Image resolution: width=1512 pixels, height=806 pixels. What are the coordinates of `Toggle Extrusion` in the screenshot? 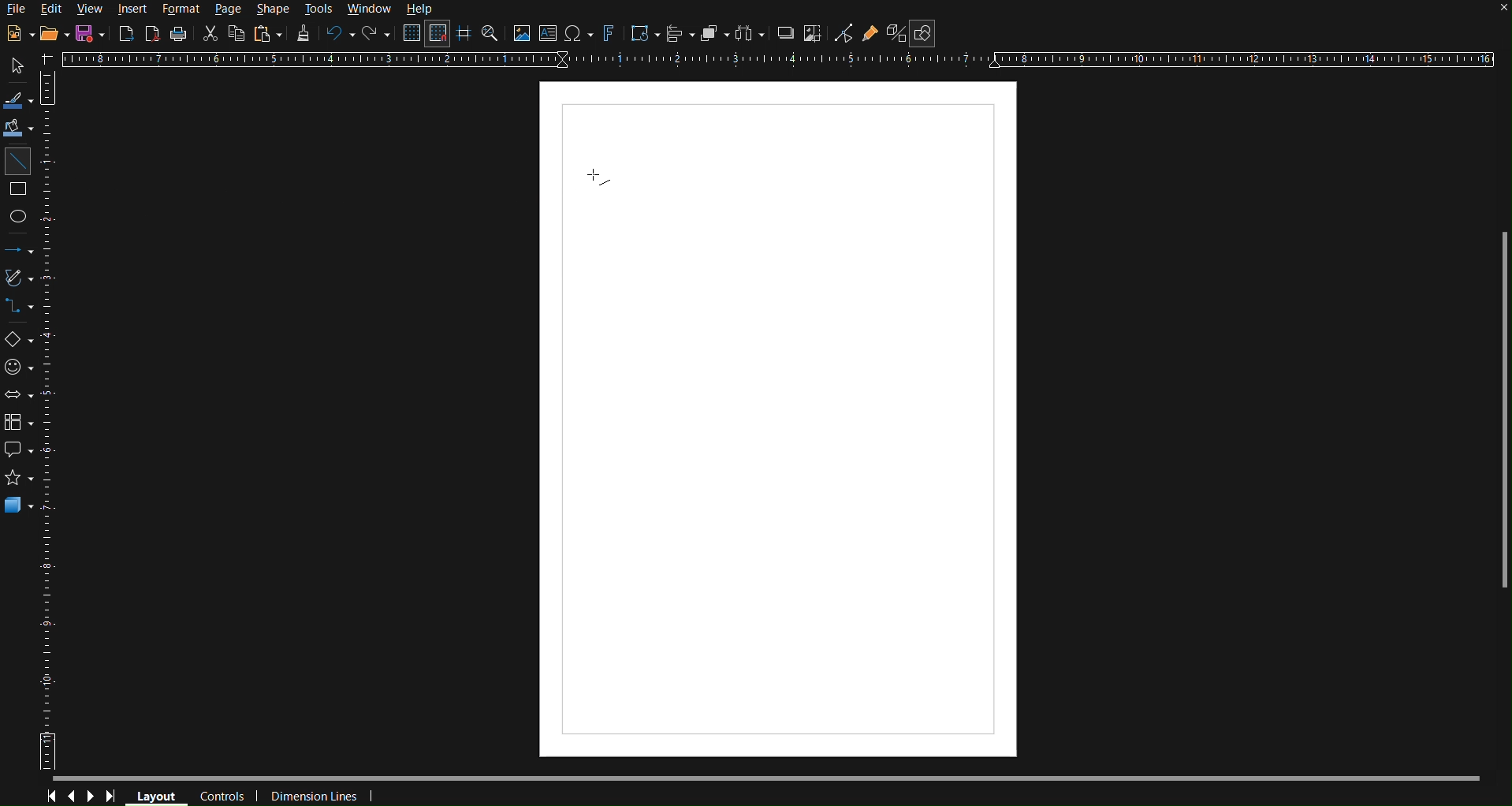 It's located at (896, 33).